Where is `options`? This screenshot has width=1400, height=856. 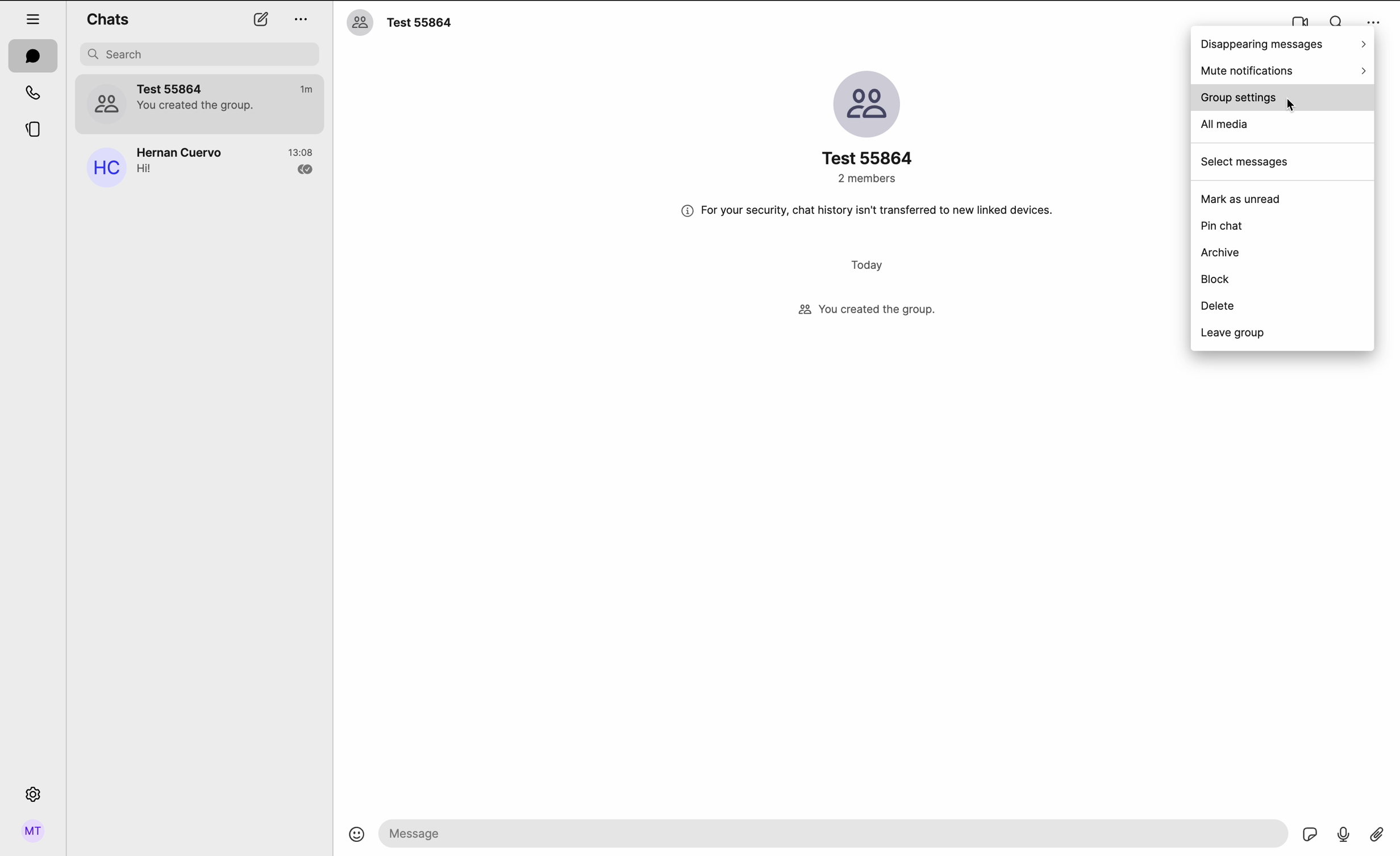
options is located at coordinates (1371, 18).